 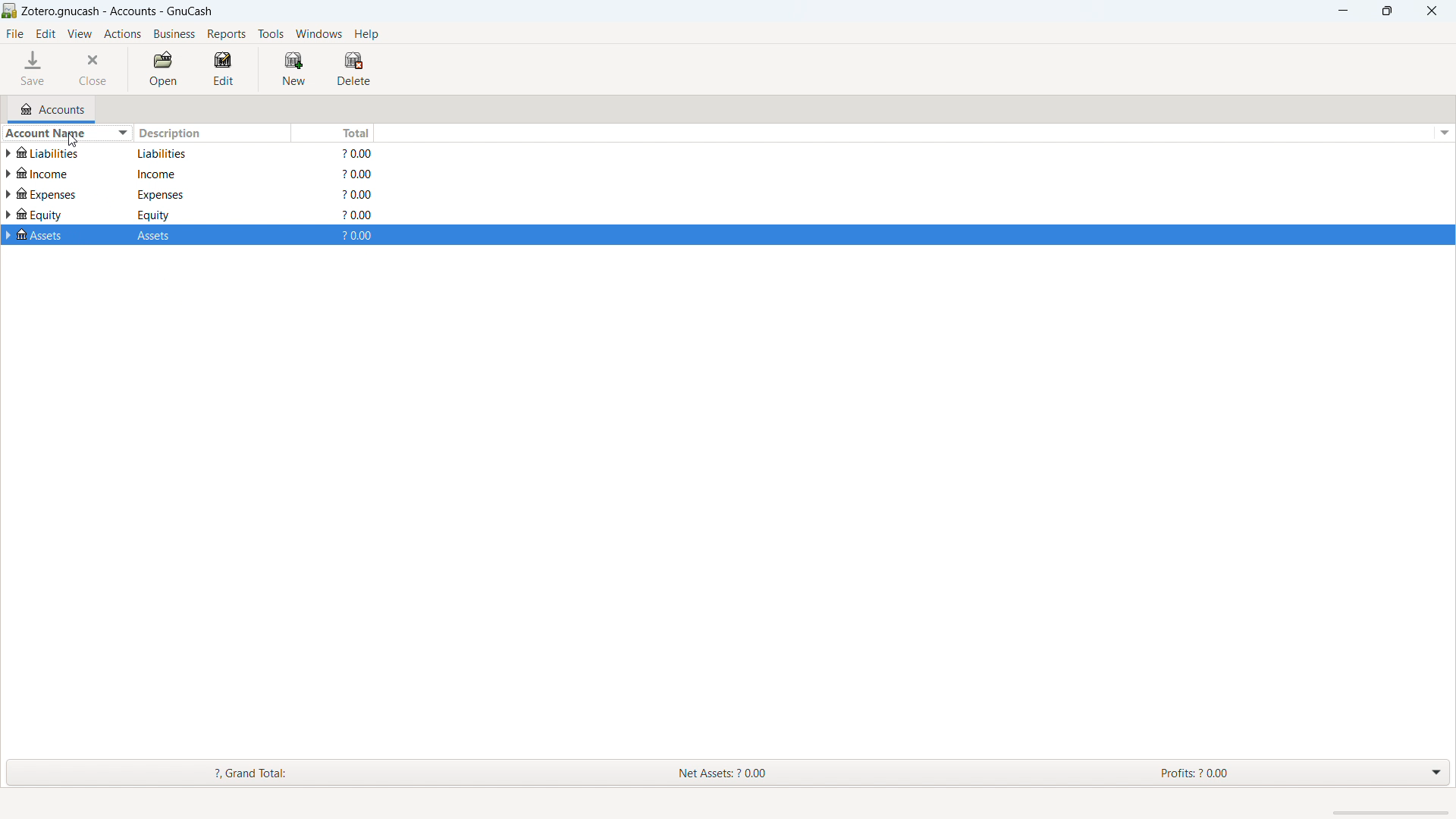 I want to click on account details of assets, so click(x=206, y=237).